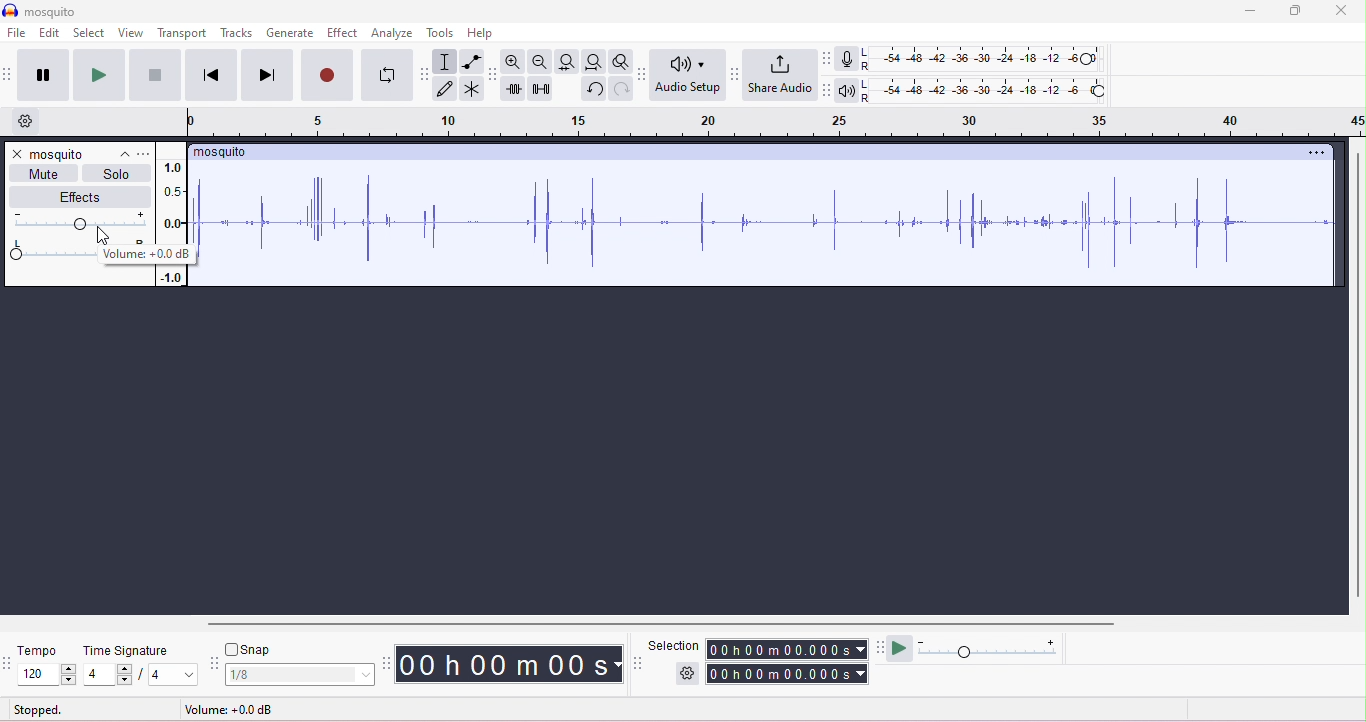  What do you see at coordinates (879, 647) in the screenshot?
I see `play at speed tool bar` at bounding box center [879, 647].